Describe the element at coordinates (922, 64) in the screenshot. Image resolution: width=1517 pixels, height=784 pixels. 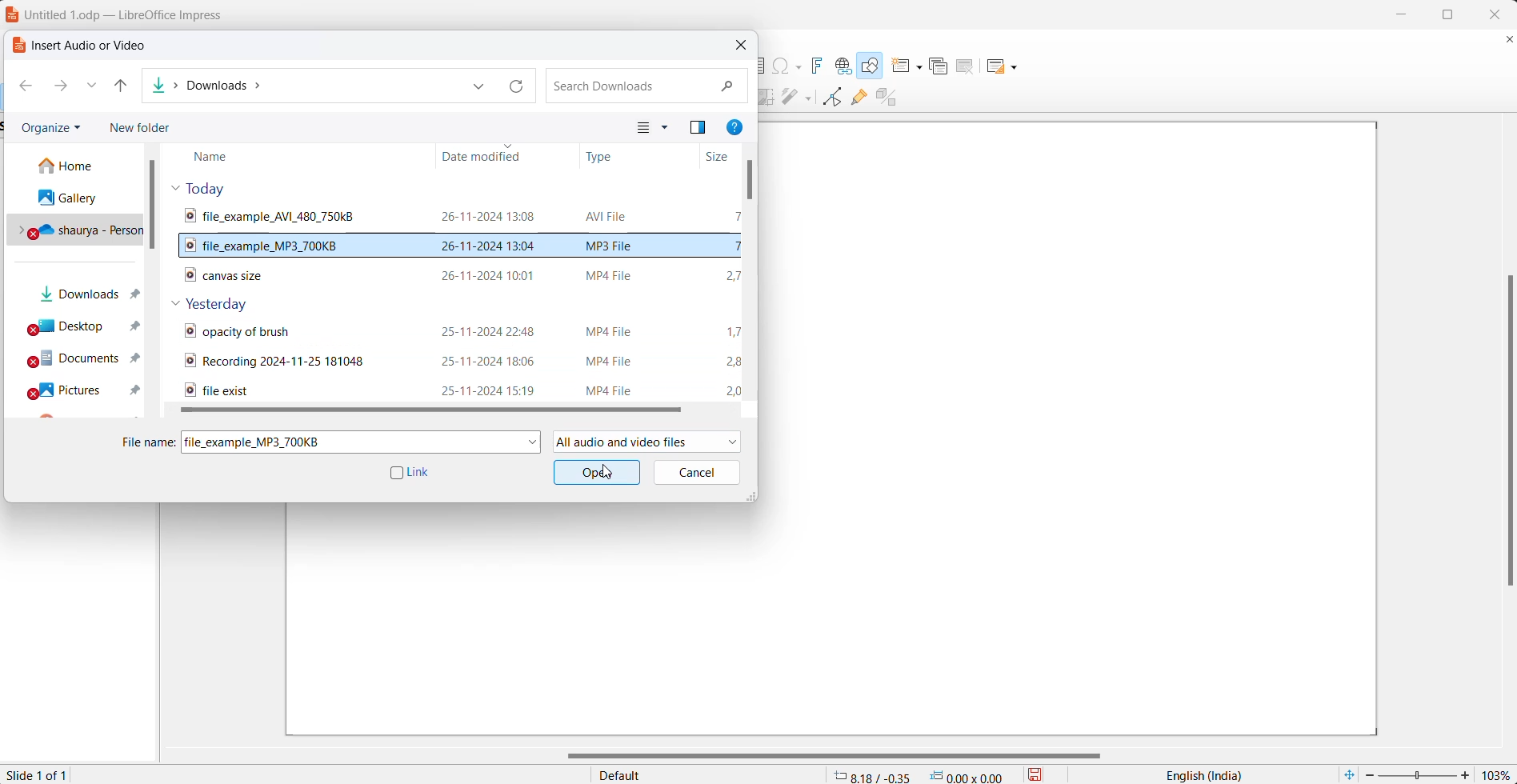
I see `new slide options dropdown button` at that location.